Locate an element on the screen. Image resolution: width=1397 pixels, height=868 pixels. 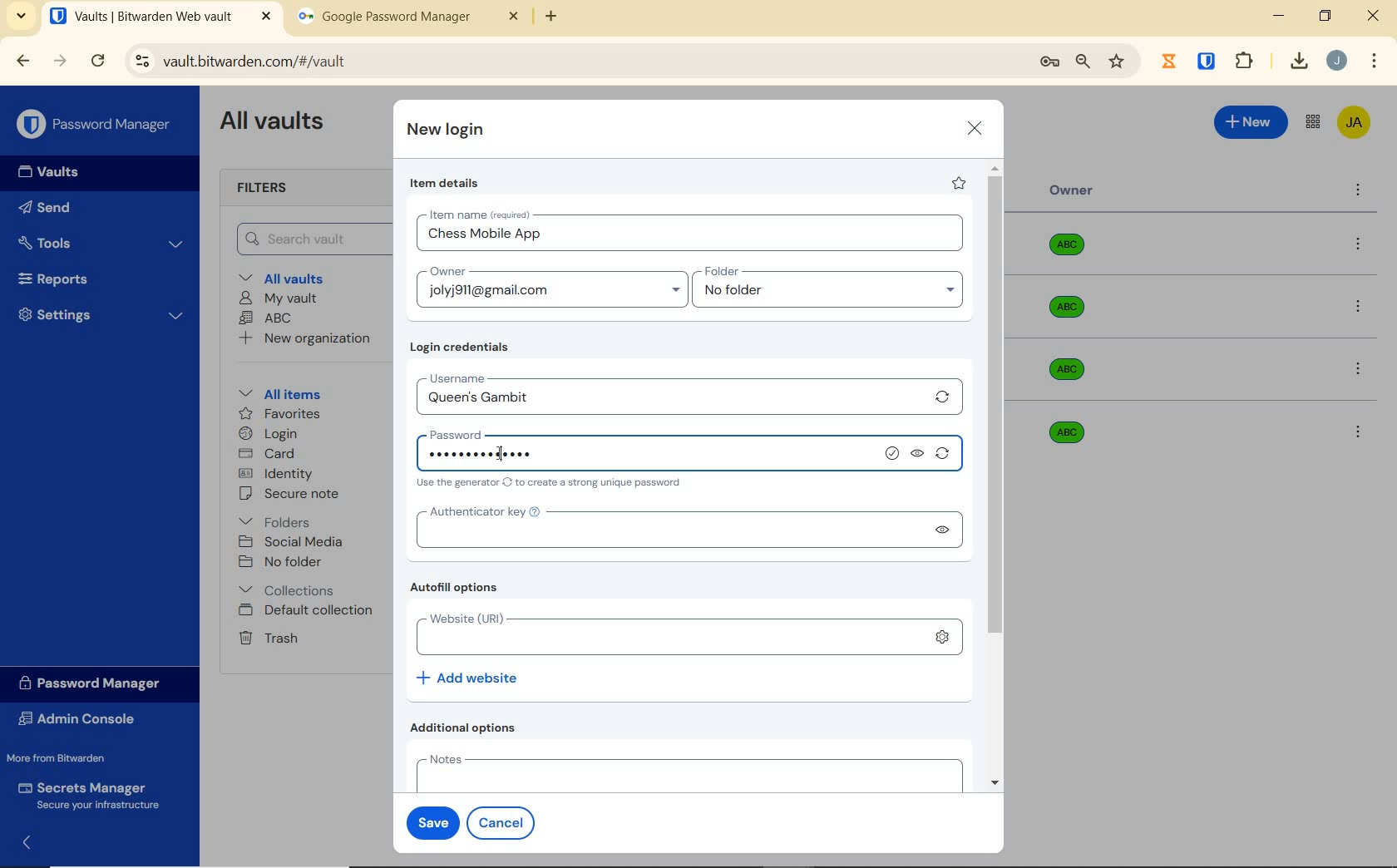
Settings is located at coordinates (101, 313).